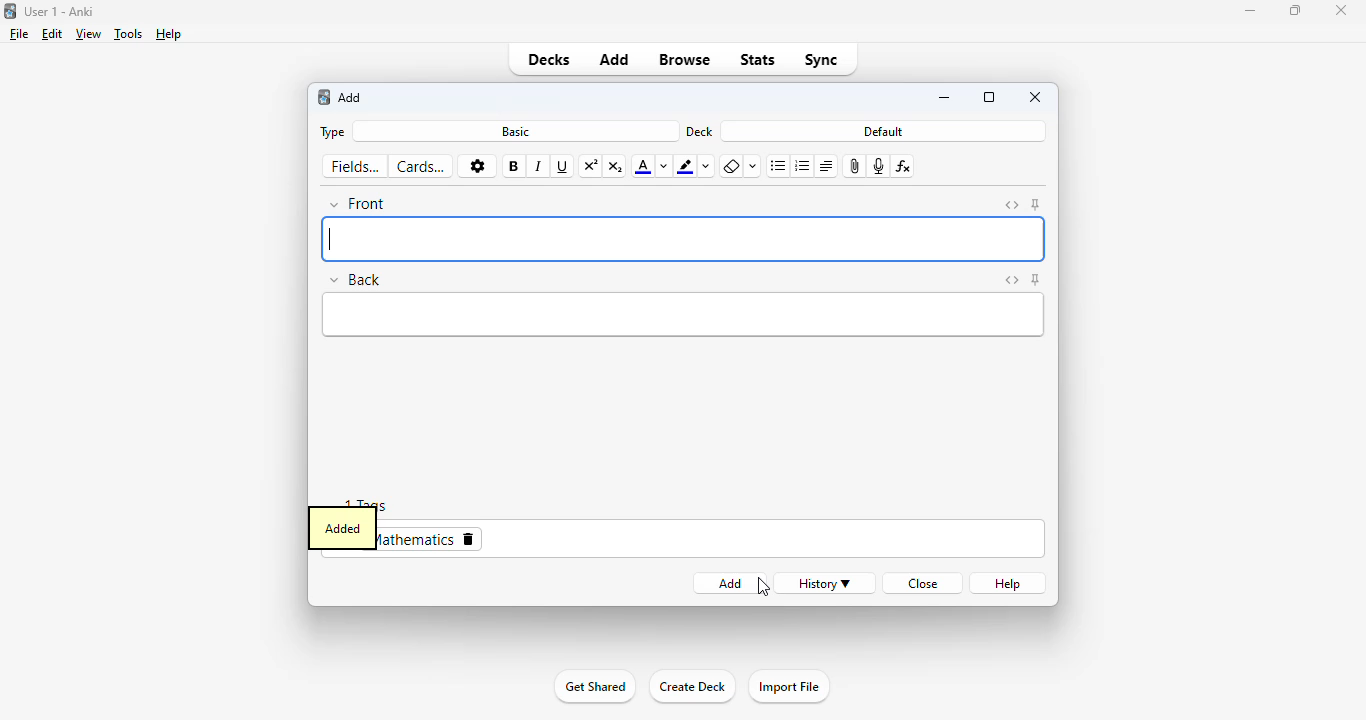  I want to click on ordered list, so click(803, 166).